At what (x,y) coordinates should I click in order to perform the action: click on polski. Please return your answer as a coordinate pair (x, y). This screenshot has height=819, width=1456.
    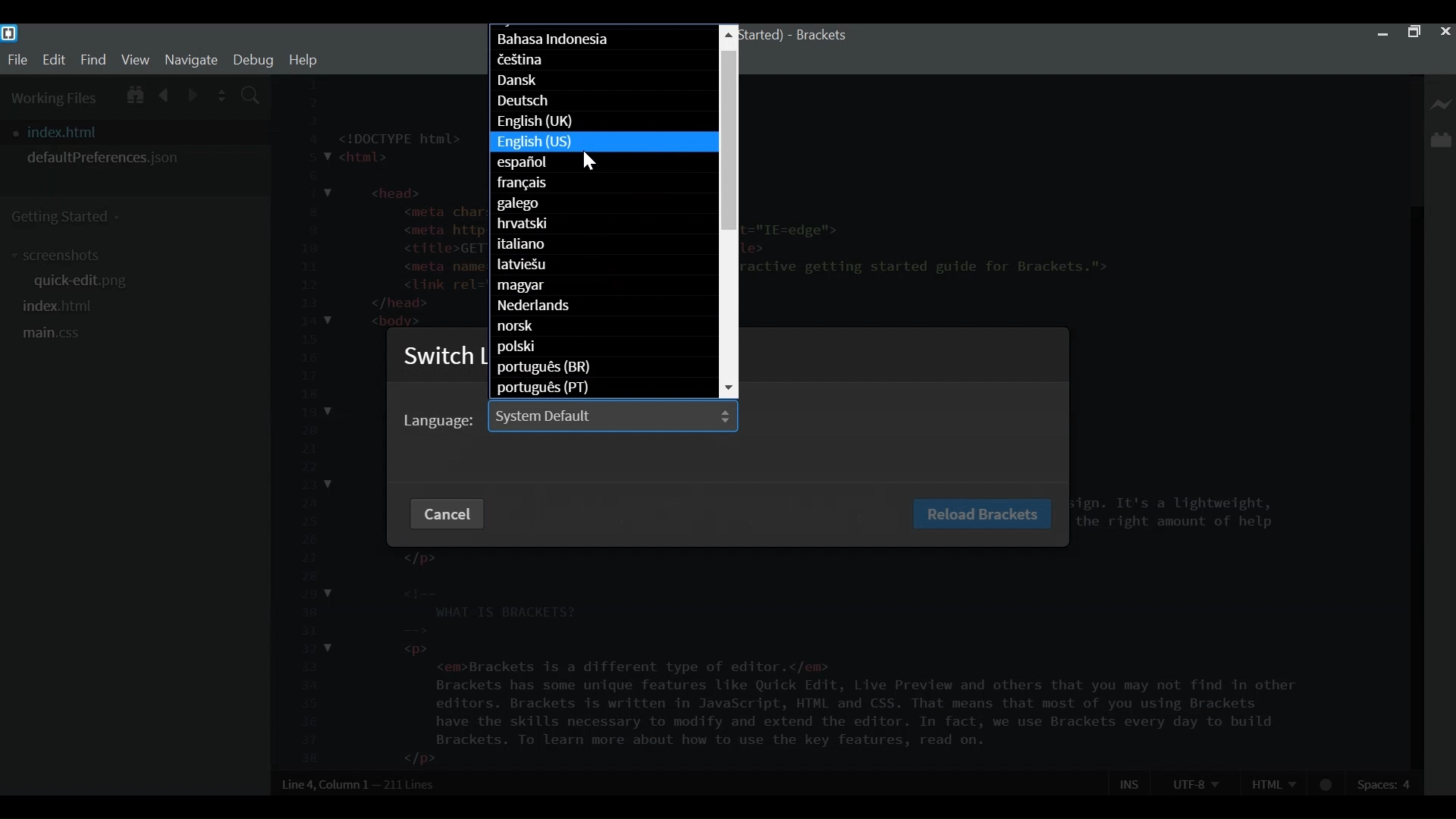
    Looking at the image, I should click on (604, 346).